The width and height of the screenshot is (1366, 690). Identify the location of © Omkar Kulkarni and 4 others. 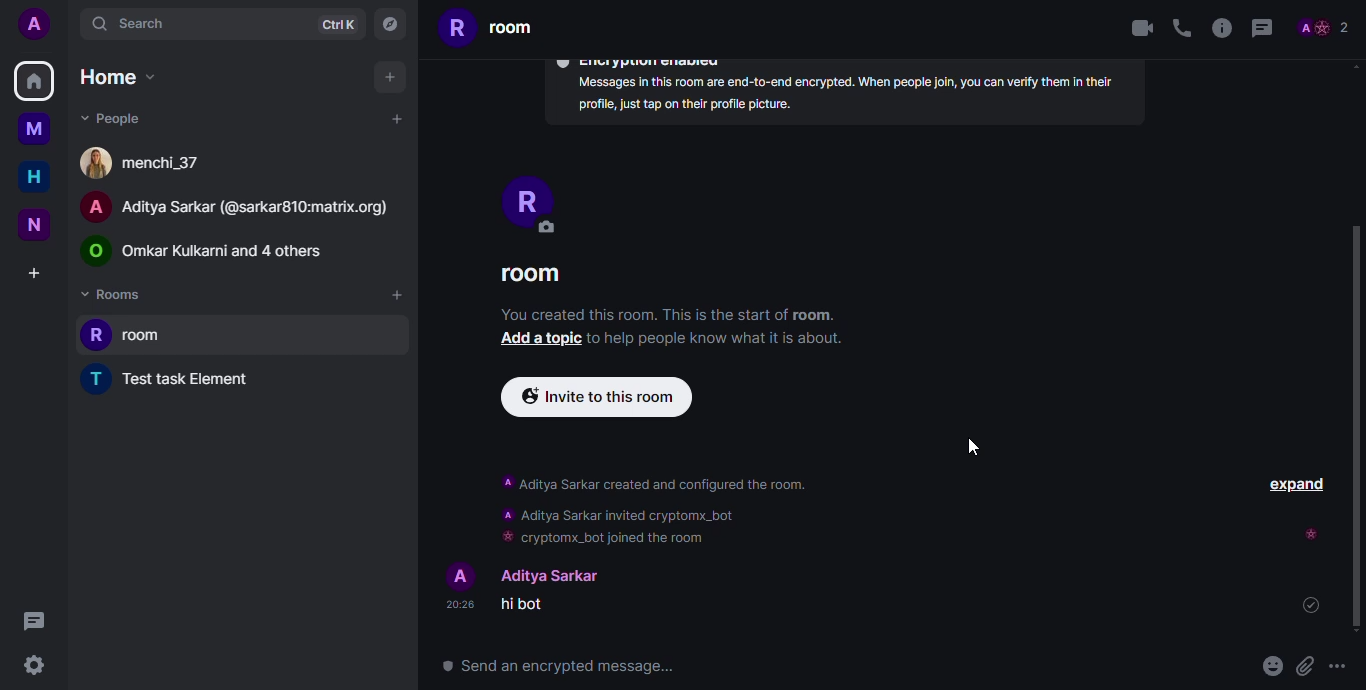
(202, 252).